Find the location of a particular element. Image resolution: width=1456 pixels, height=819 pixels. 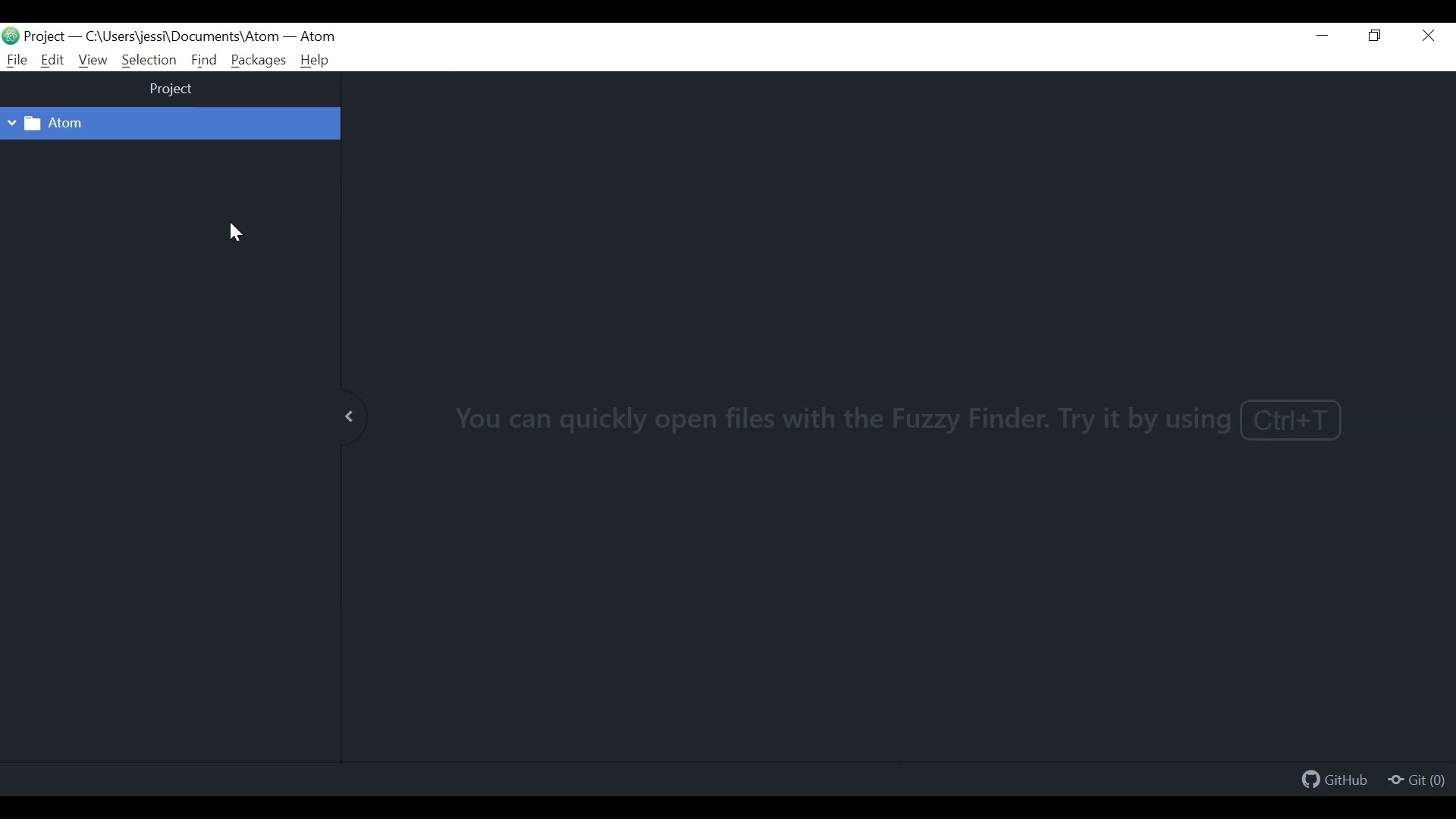

Github is located at coordinates (1336, 782).